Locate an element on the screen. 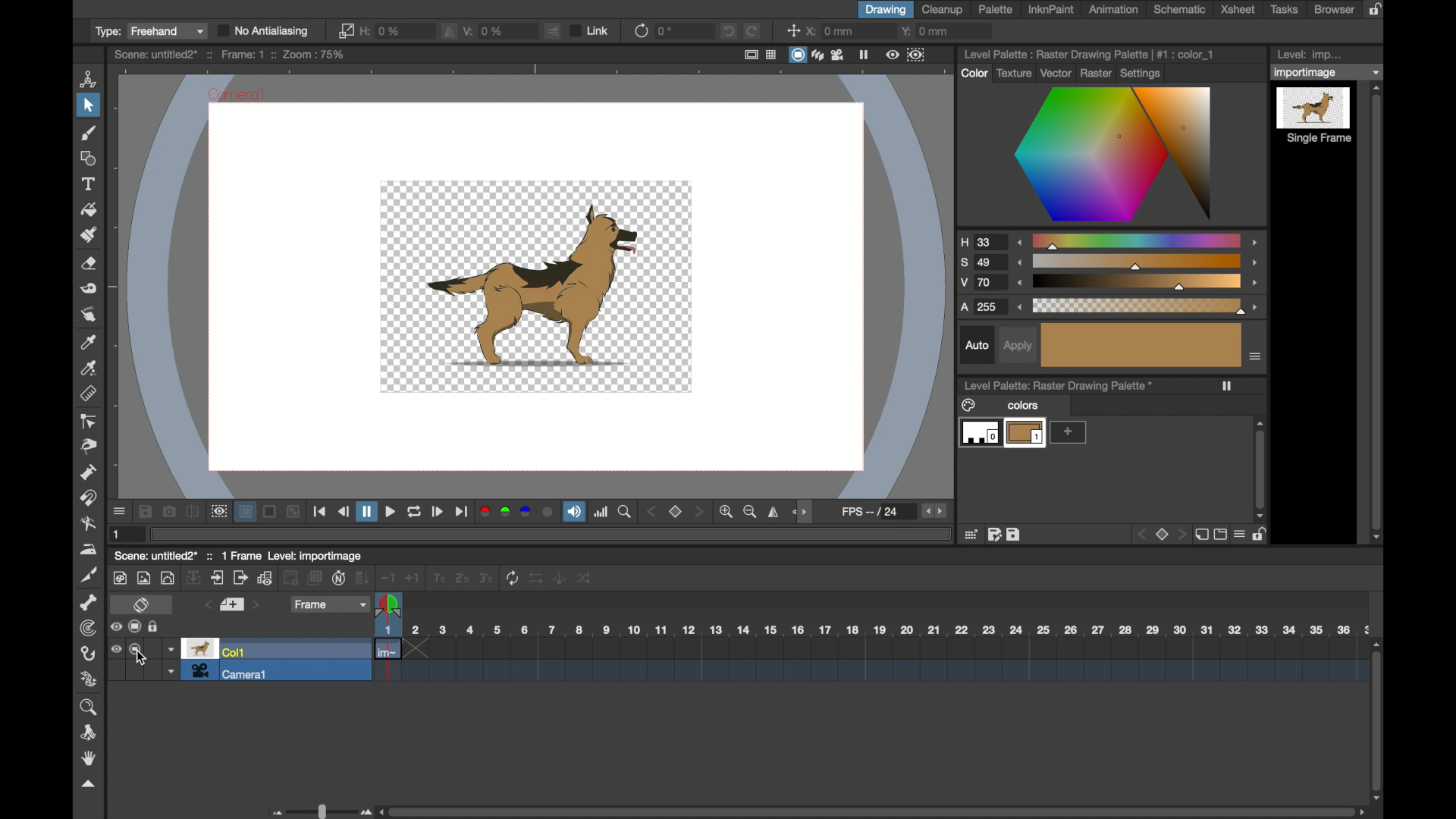 The image size is (1456, 819). 0 is located at coordinates (665, 31).